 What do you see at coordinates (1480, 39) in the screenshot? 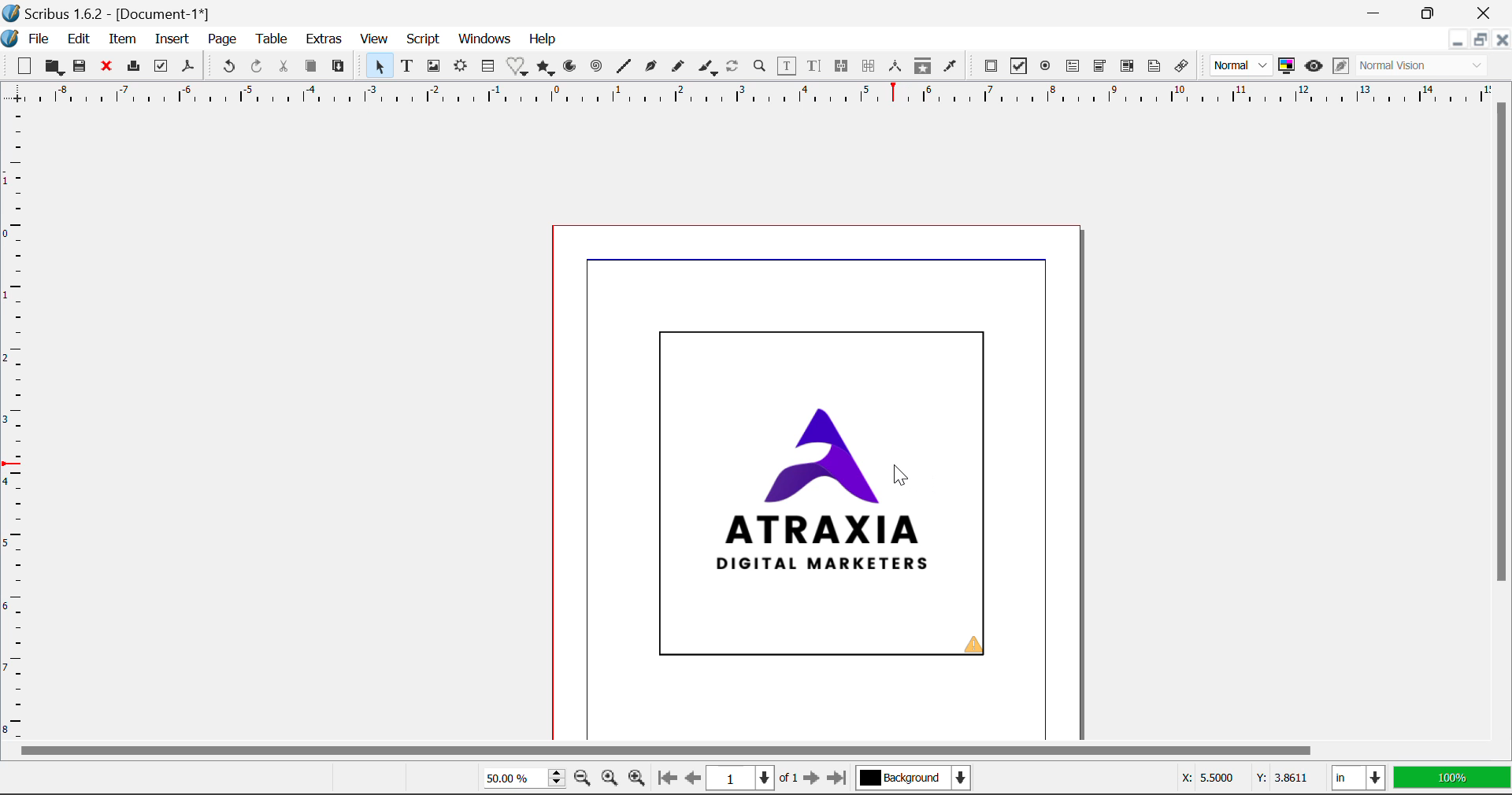
I see `Minimize` at bounding box center [1480, 39].